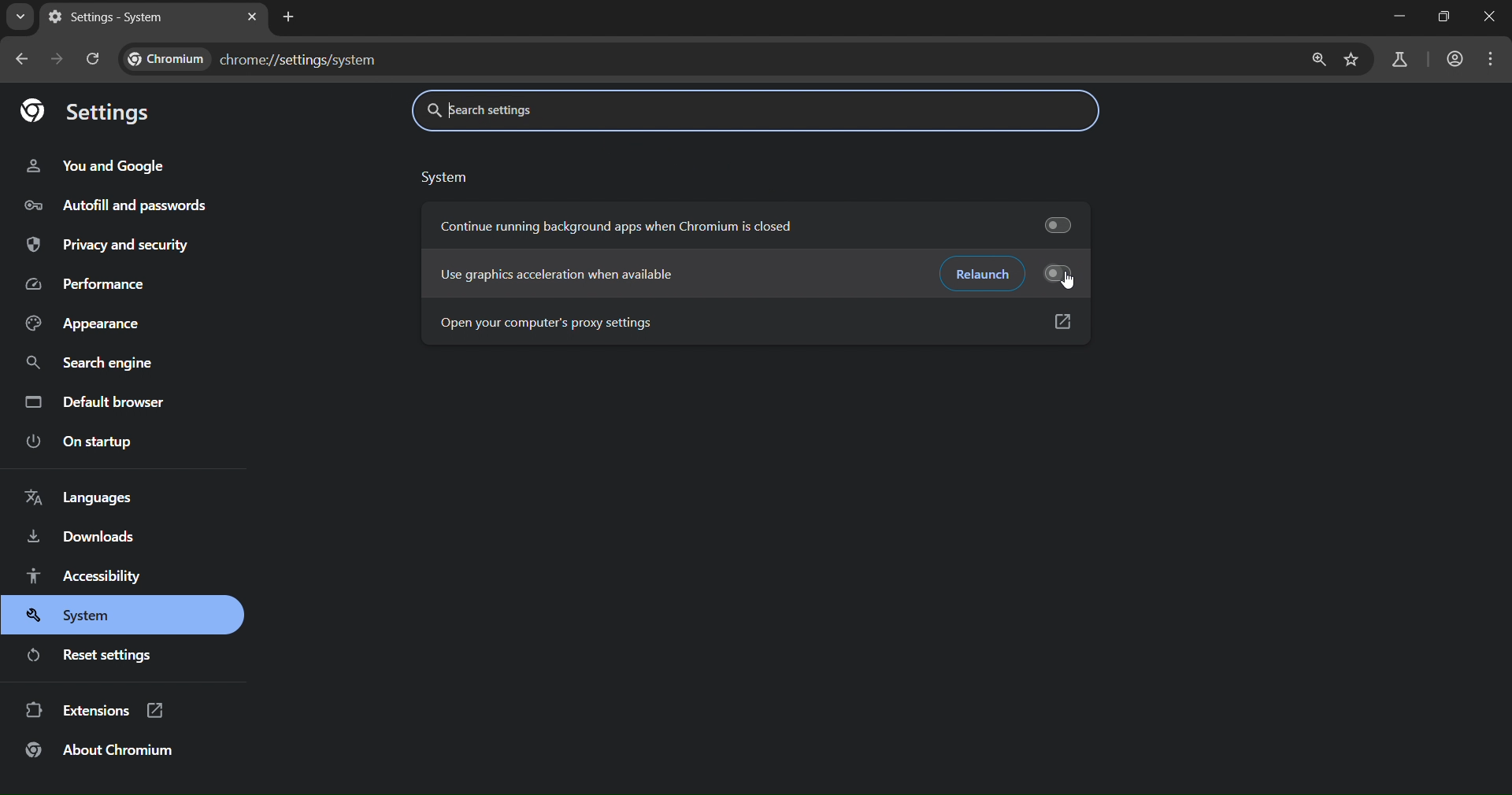 Image resolution: width=1512 pixels, height=795 pixels. I want to click on privacy and security, so click(114, 240).